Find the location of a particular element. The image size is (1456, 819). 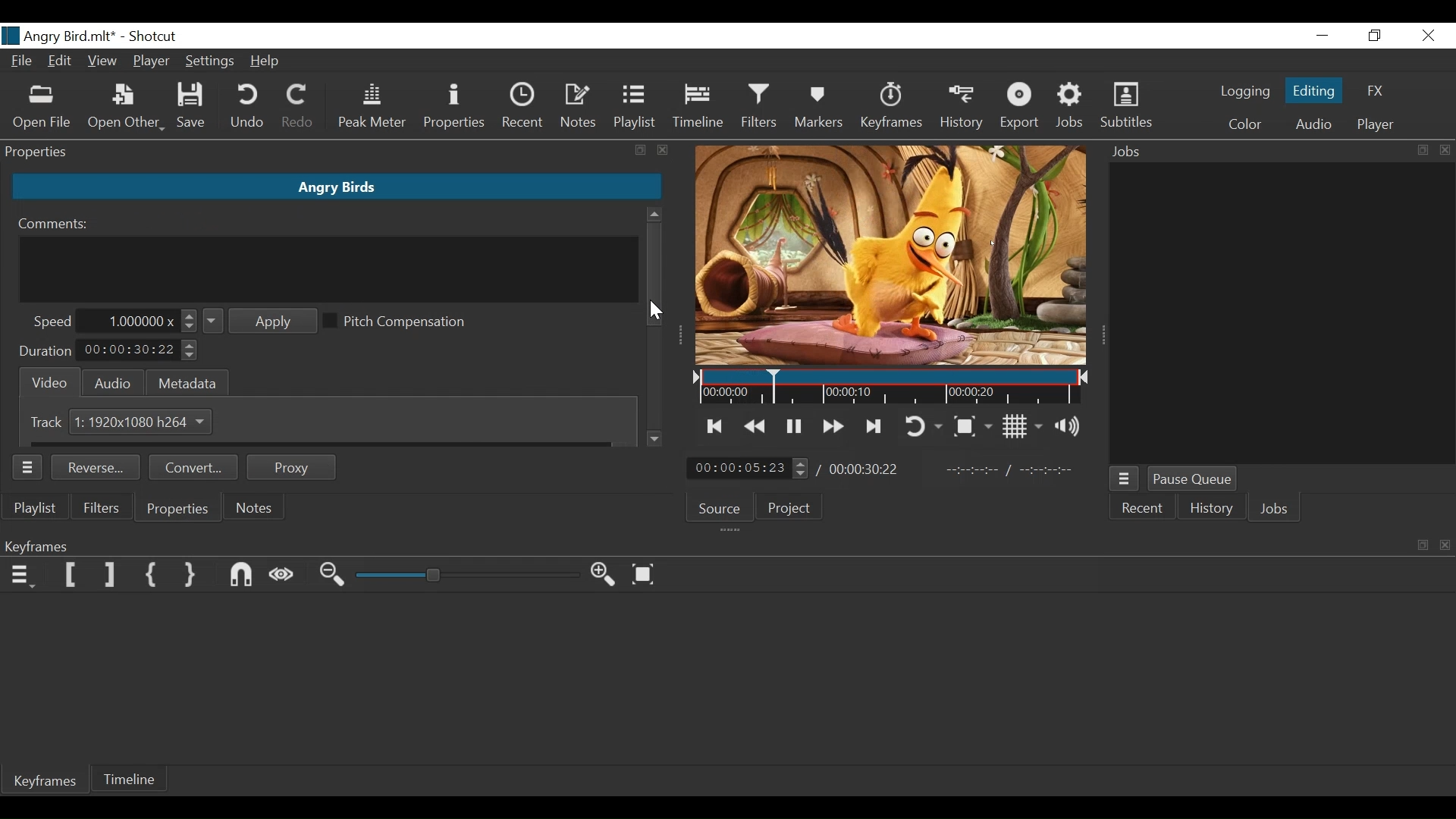

Snap is located at coordinates (242, 576).